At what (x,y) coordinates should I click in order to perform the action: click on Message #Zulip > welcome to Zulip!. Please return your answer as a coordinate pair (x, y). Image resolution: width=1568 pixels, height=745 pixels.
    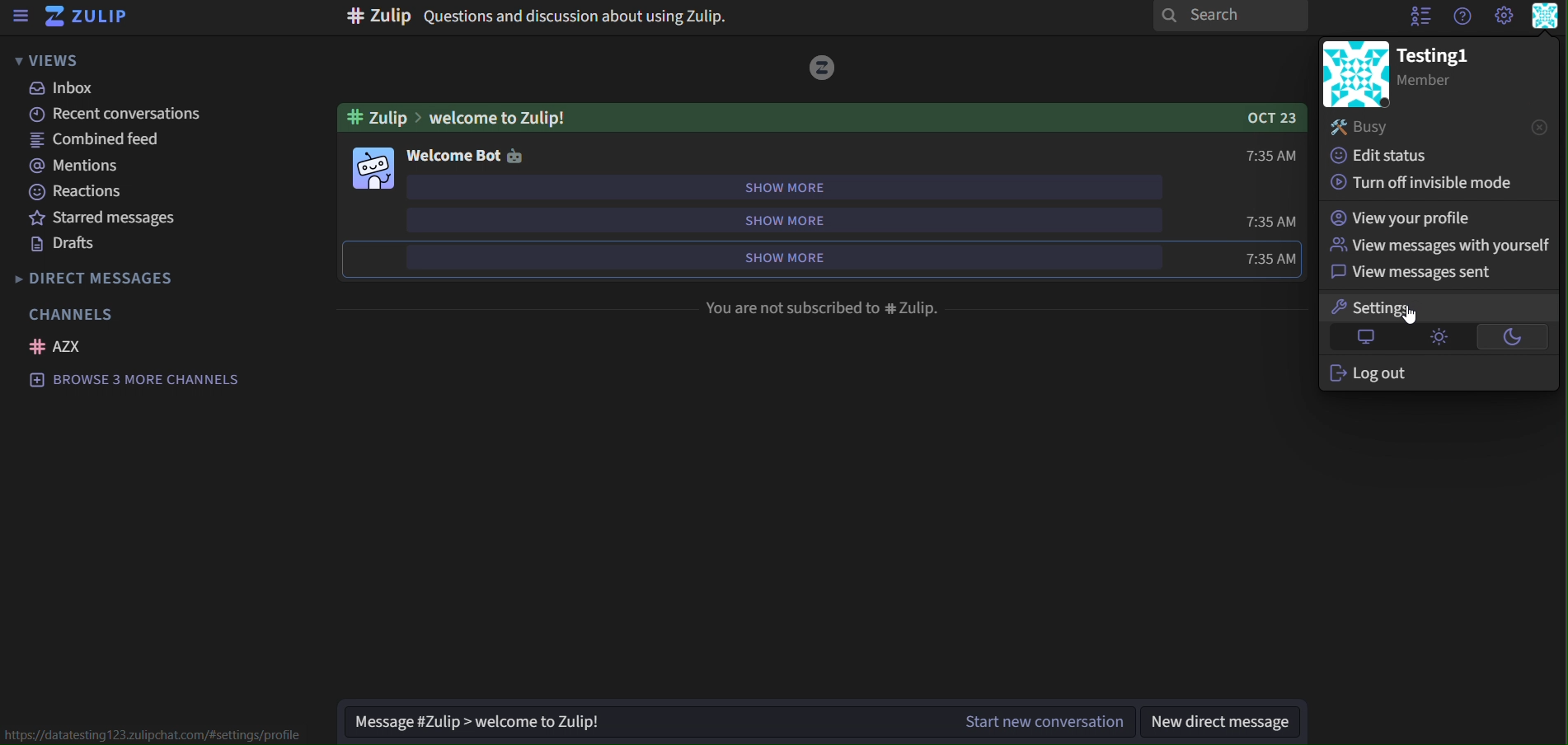
    Looking at the image, I should click on (636, 722).